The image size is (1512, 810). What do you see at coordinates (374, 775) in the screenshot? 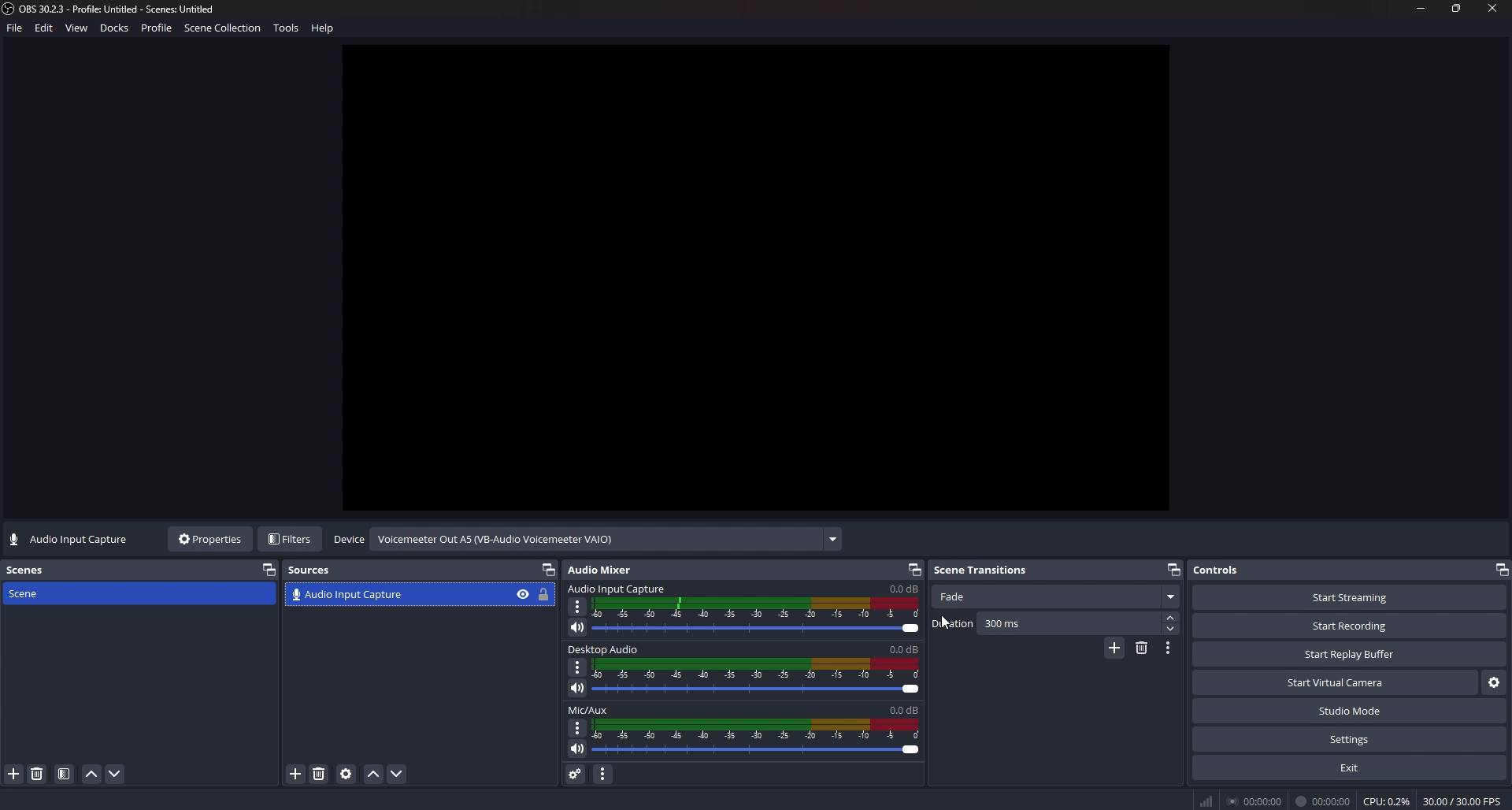
I see `move source up` at bounding box center [374, 775].